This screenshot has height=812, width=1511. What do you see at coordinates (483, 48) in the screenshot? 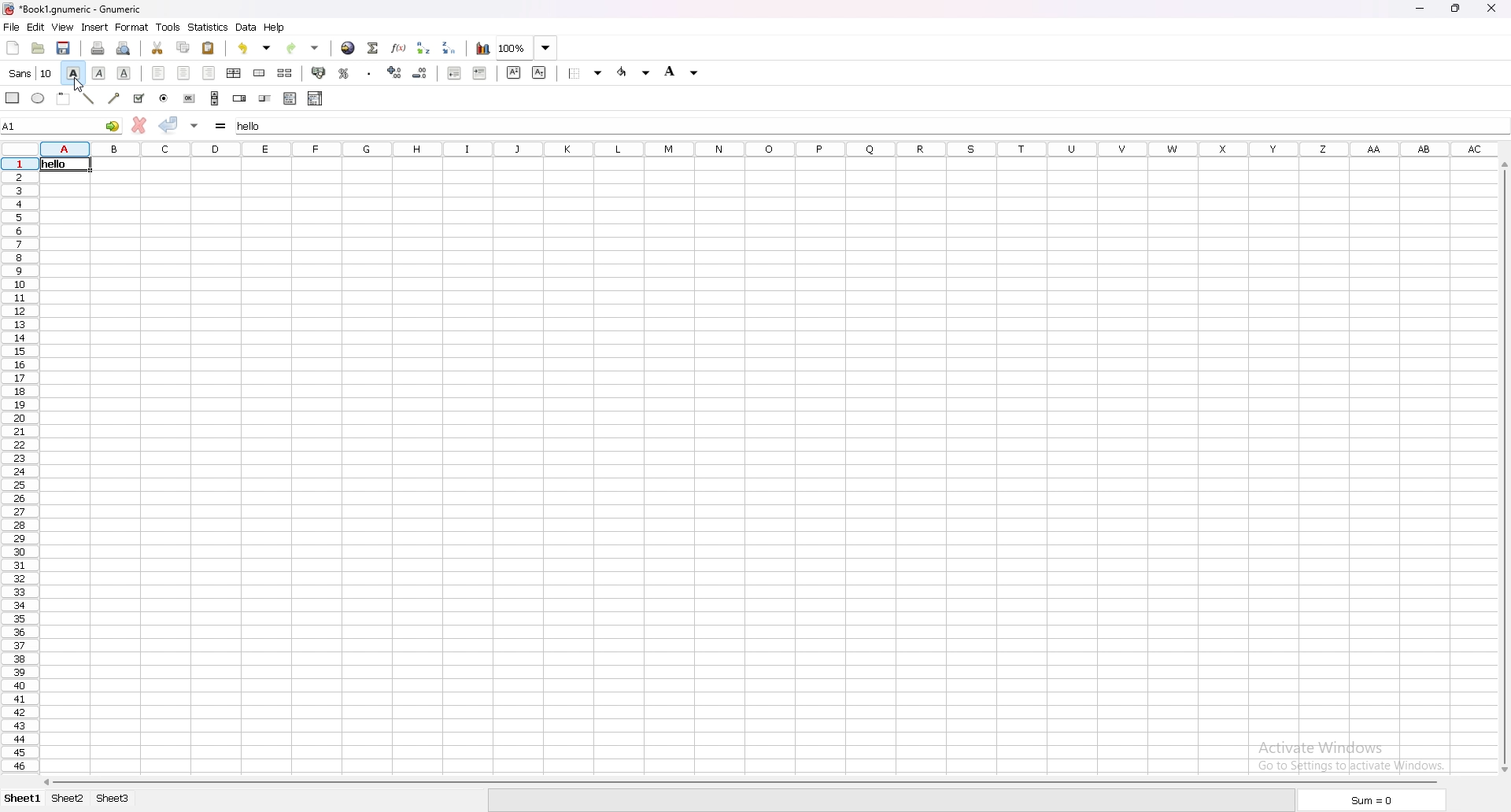
I see `chart` at bounding box center [483, 48].